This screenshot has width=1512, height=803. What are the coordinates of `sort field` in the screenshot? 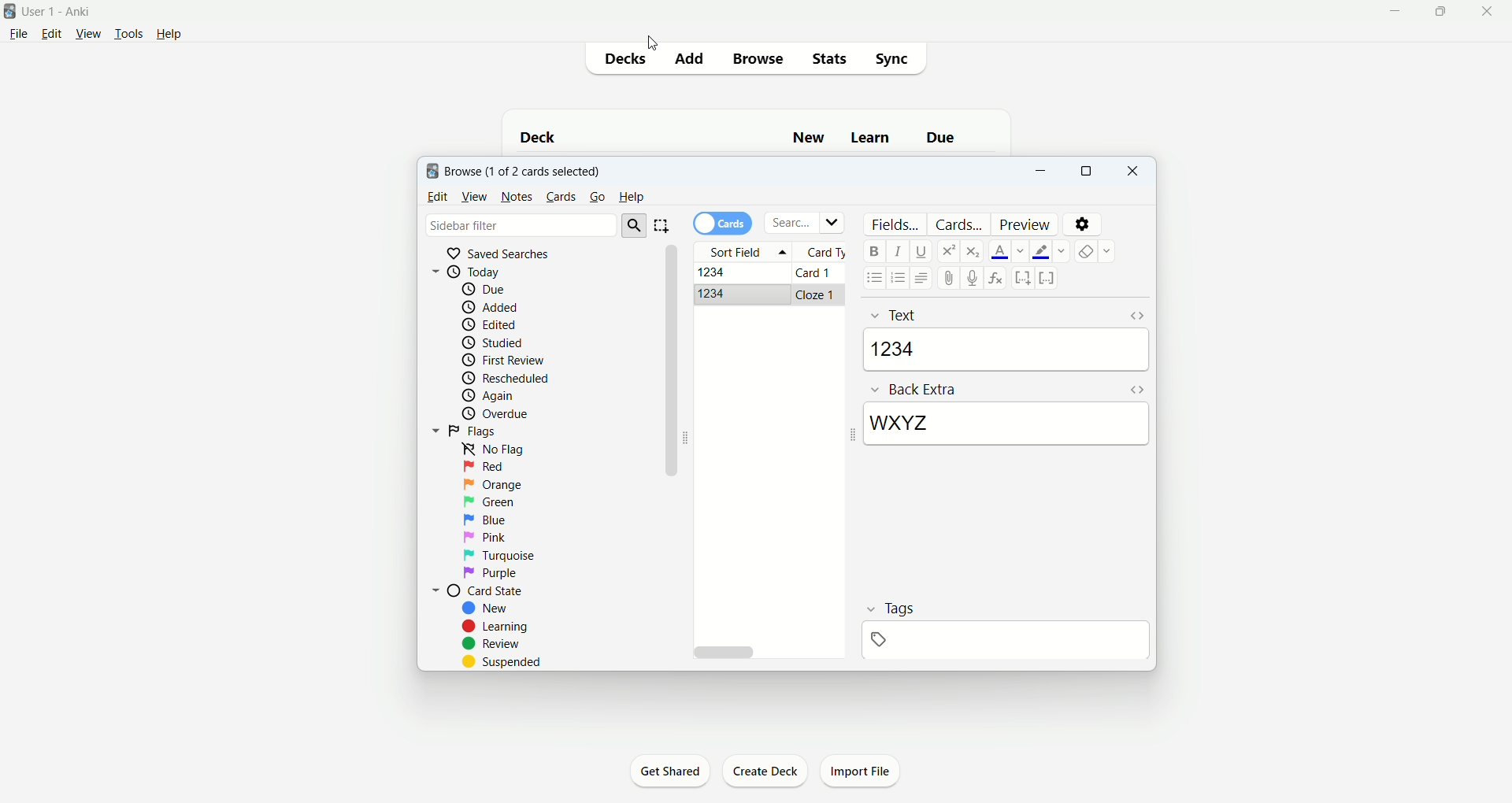 It's located at (741, 251).